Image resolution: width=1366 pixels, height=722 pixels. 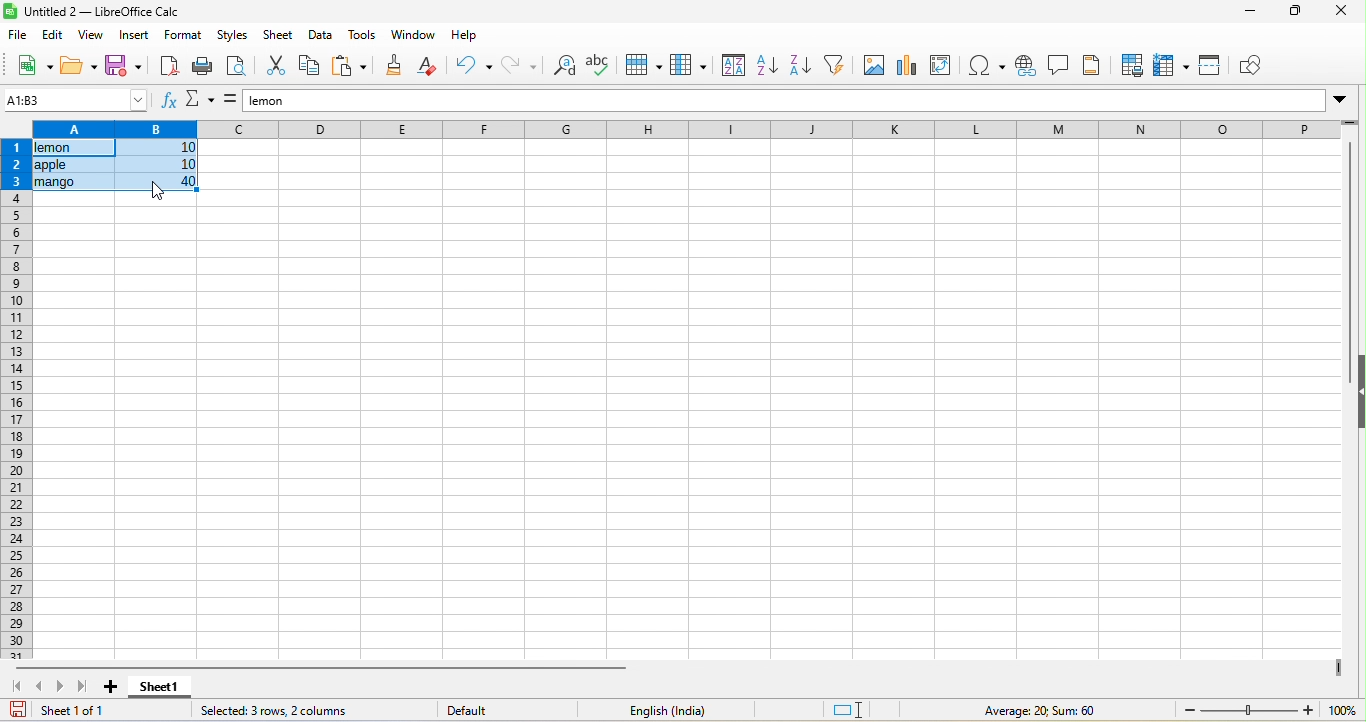 What do you see at coordinates (1172, 67) in the screenshot?
I see `freeze row and column` at bounding box center [1172, 67].